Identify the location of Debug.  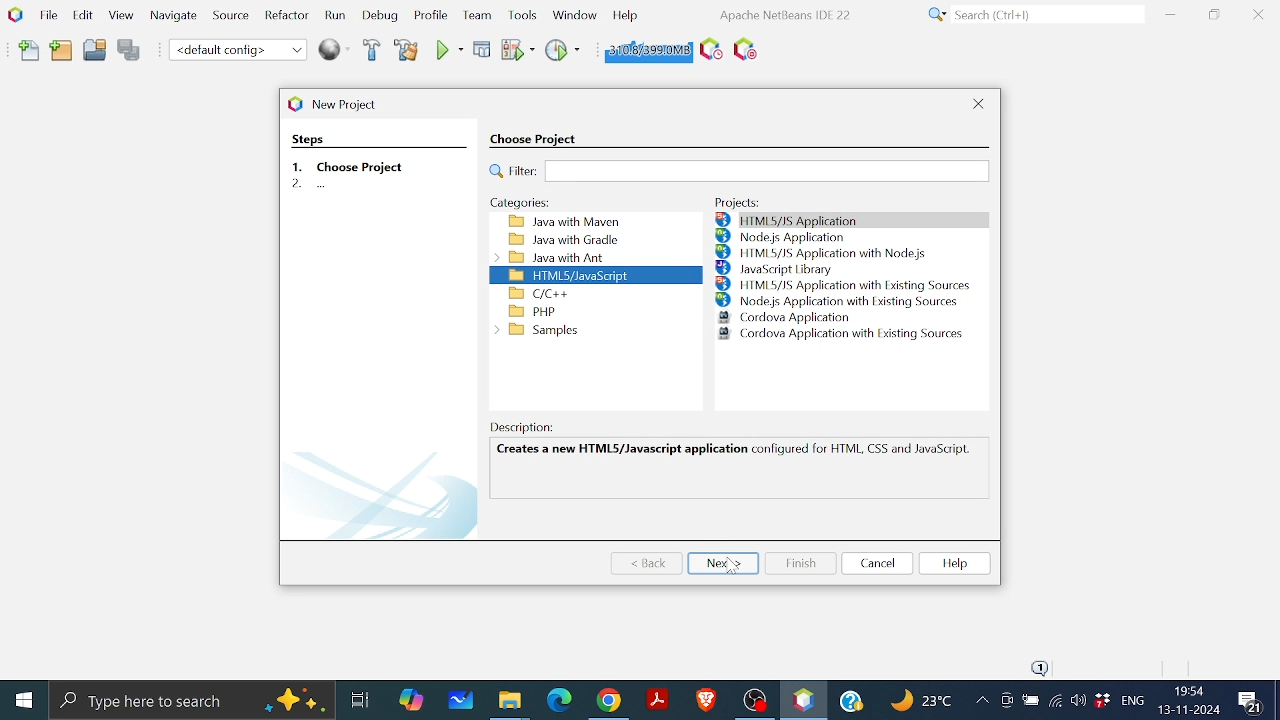
(482, 49).